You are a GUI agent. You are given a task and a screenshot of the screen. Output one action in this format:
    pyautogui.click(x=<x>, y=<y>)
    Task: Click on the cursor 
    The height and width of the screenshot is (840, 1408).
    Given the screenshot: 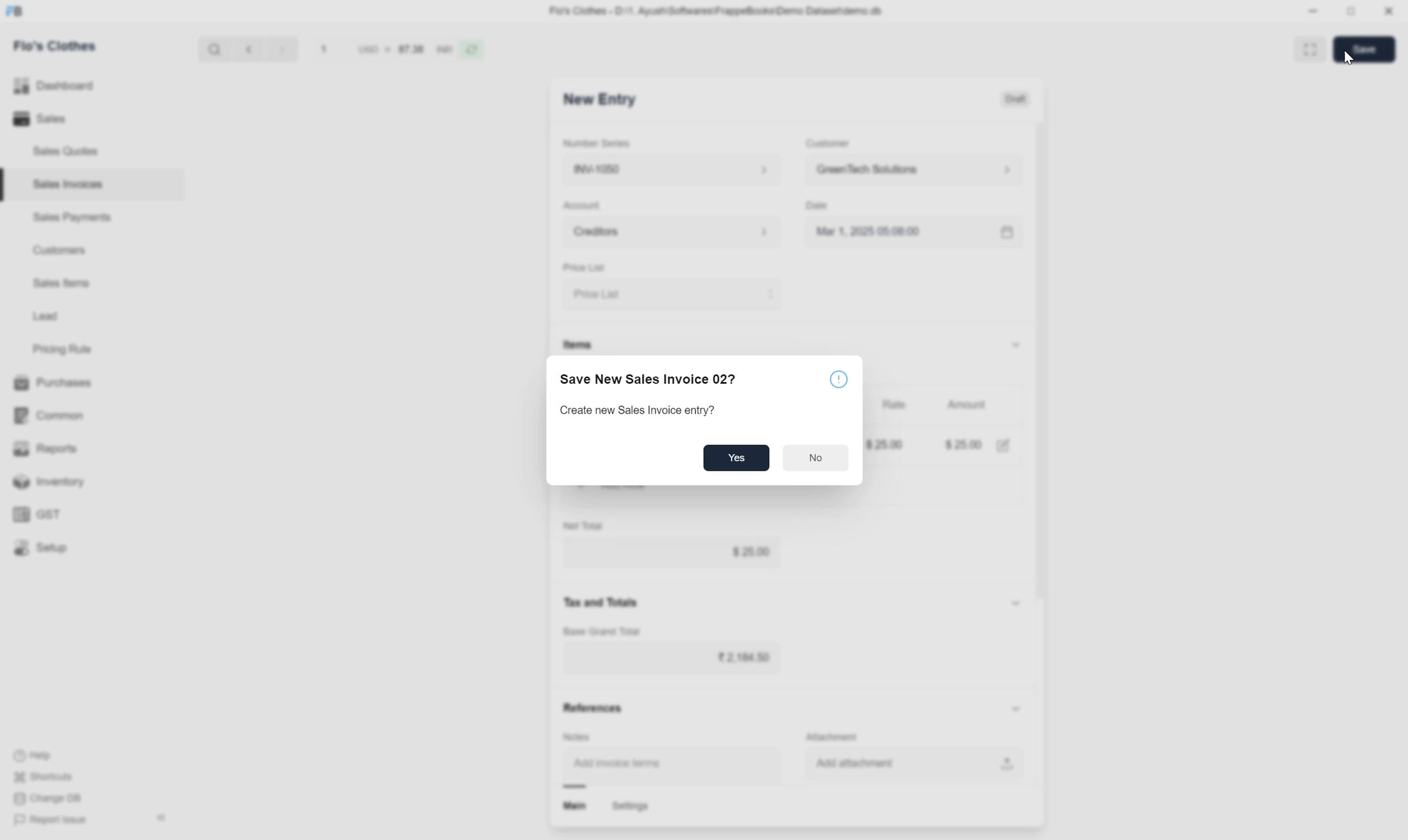 What is the action you would take?
    pyautogui.click(x=1347, y=60)
    